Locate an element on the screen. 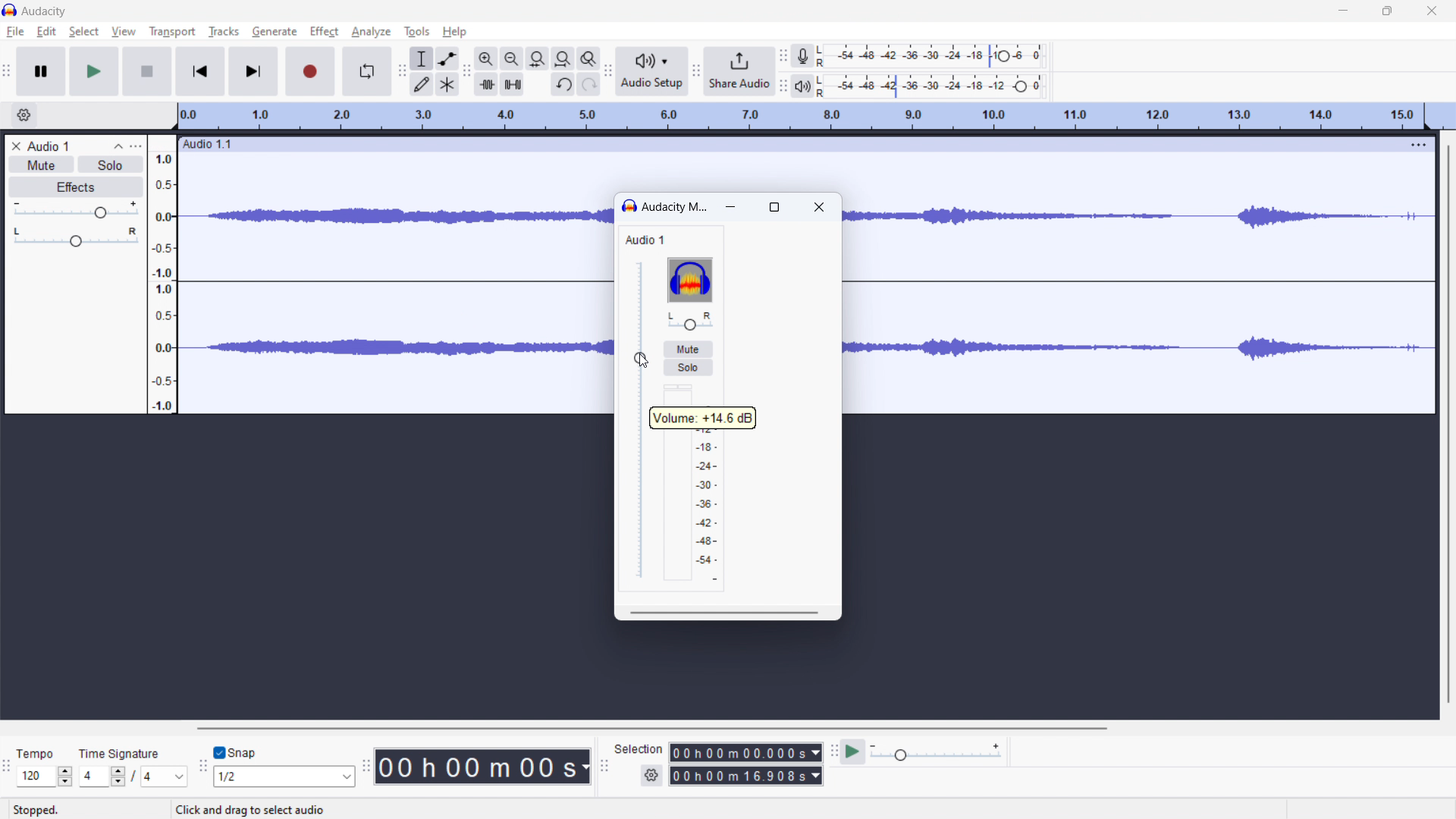 Image resolution: width=1456 pixels, height=819 pixels. playback meter toolbar is located at coordinates (783, 86).